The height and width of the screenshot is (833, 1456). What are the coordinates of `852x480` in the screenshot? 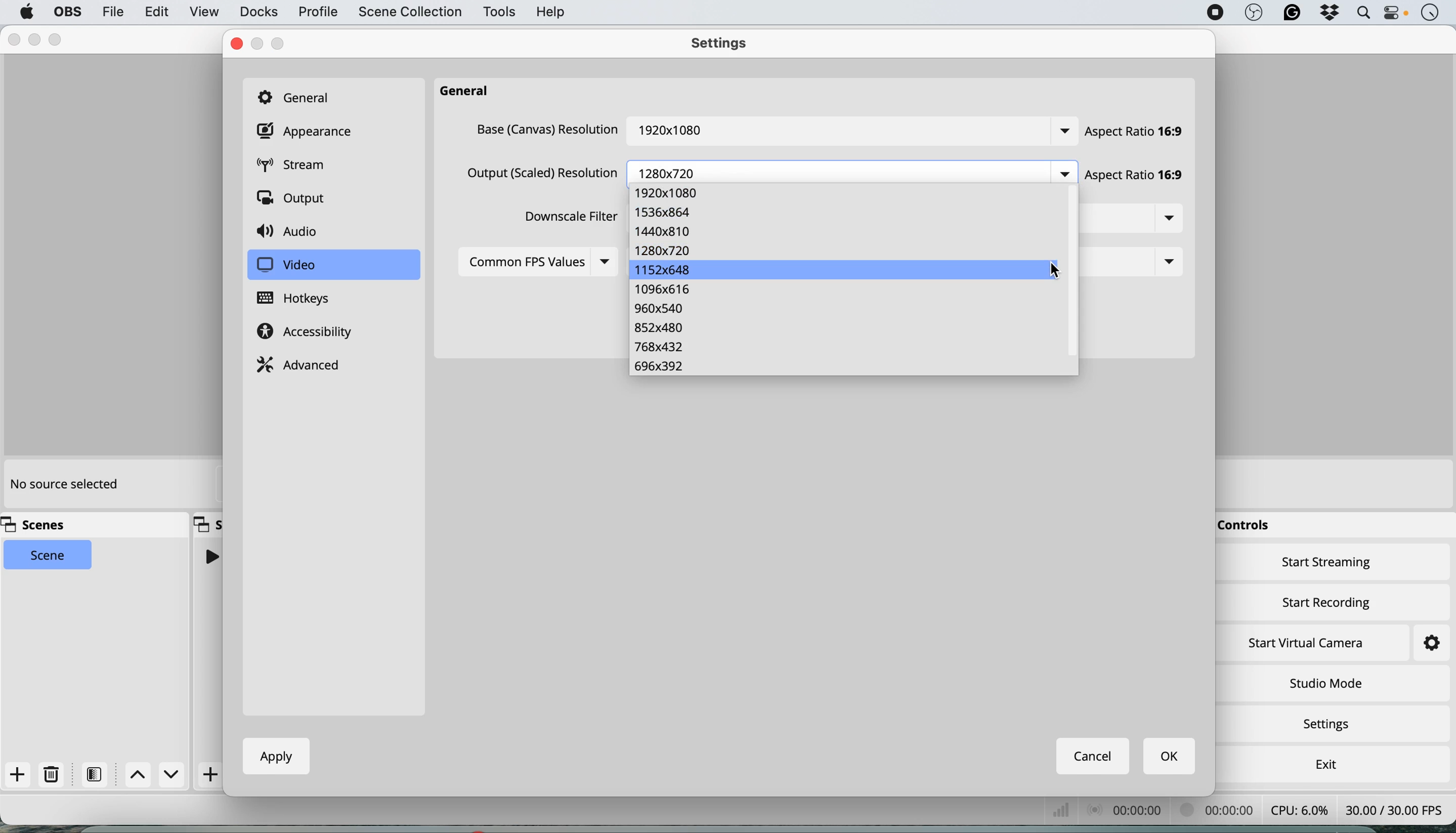 It's located at (657, 328).